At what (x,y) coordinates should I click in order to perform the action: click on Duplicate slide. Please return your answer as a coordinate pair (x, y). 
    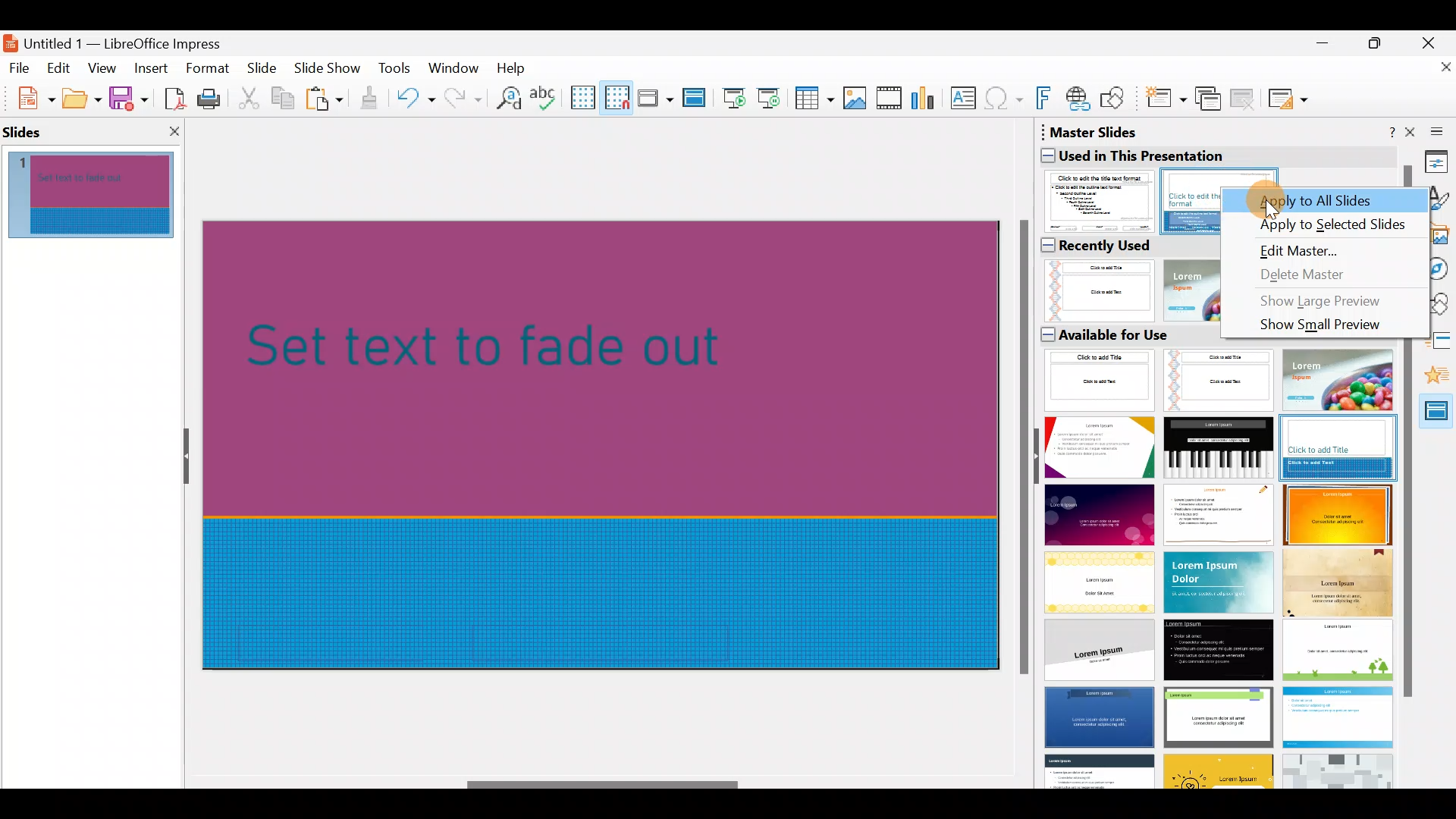
    Looking at the image, I should click on (1210, 99).